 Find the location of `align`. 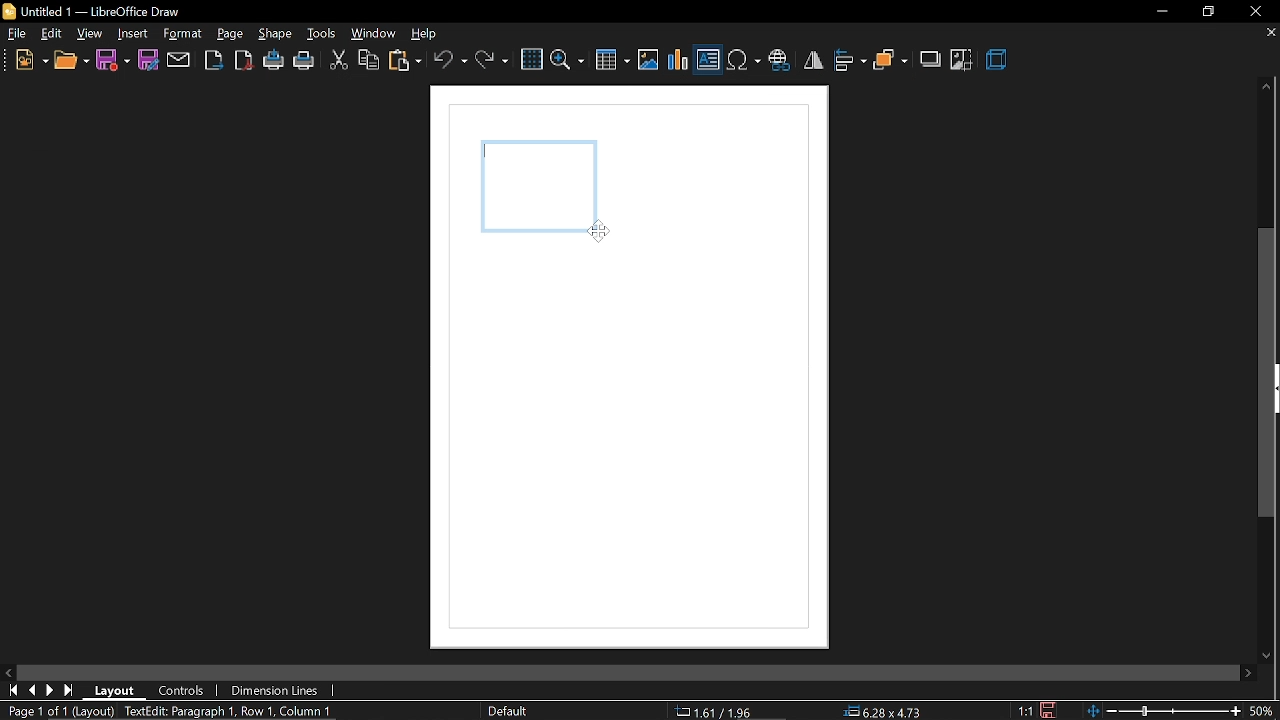

align is located at coordinates (850, 60).